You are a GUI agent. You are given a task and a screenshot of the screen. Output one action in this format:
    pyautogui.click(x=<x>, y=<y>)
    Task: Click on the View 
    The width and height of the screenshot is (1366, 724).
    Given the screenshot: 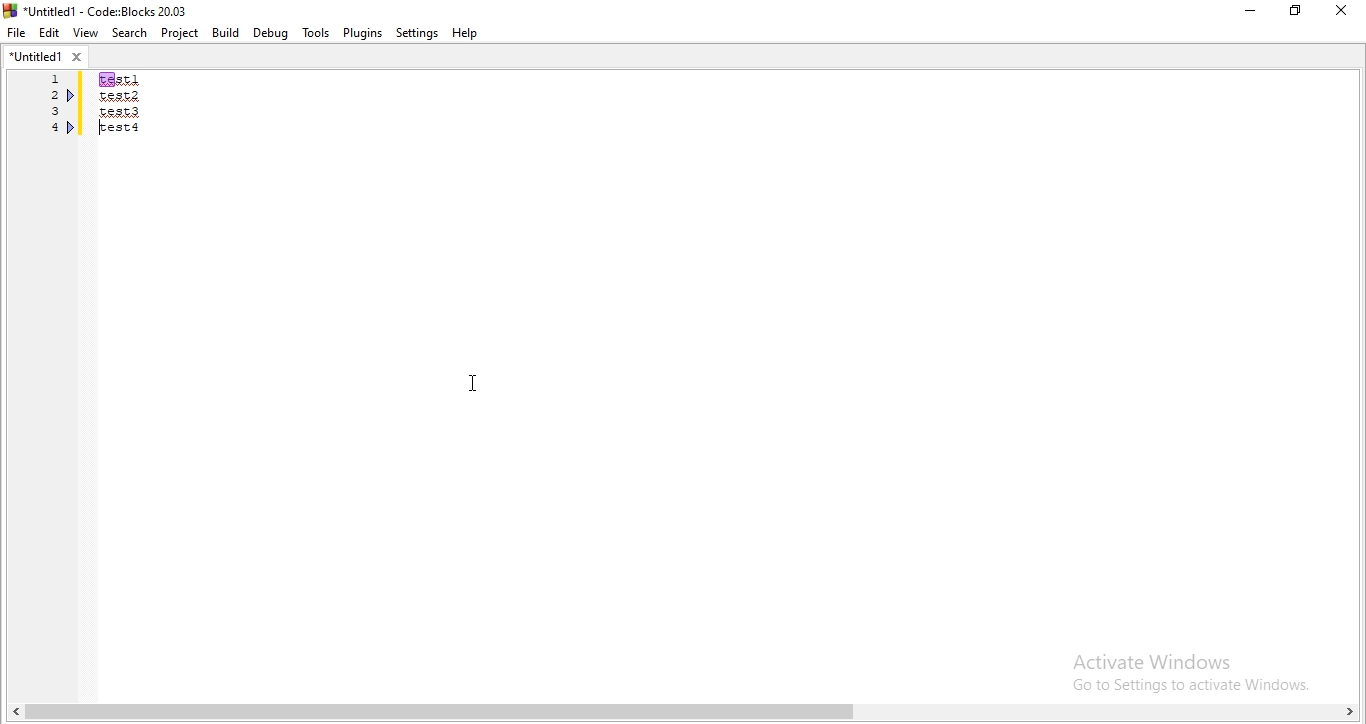 What is the action you would take?
    pyautogui.click(x=85, y=33)
    